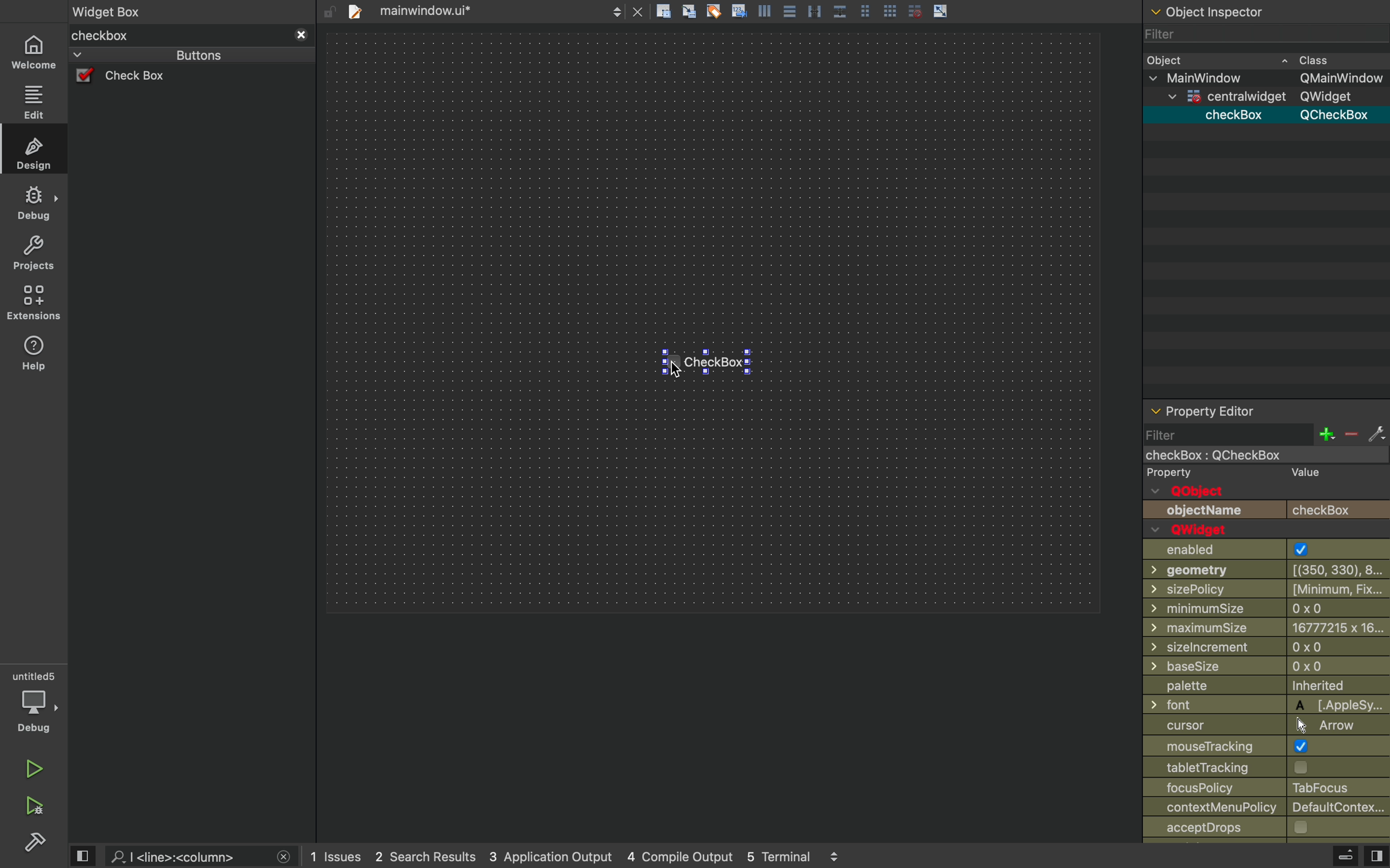 The width and height of the screenshot is (1390, 868). Describe the element at coordinates (34, 51) in the screenshot. I see `home` at that location.